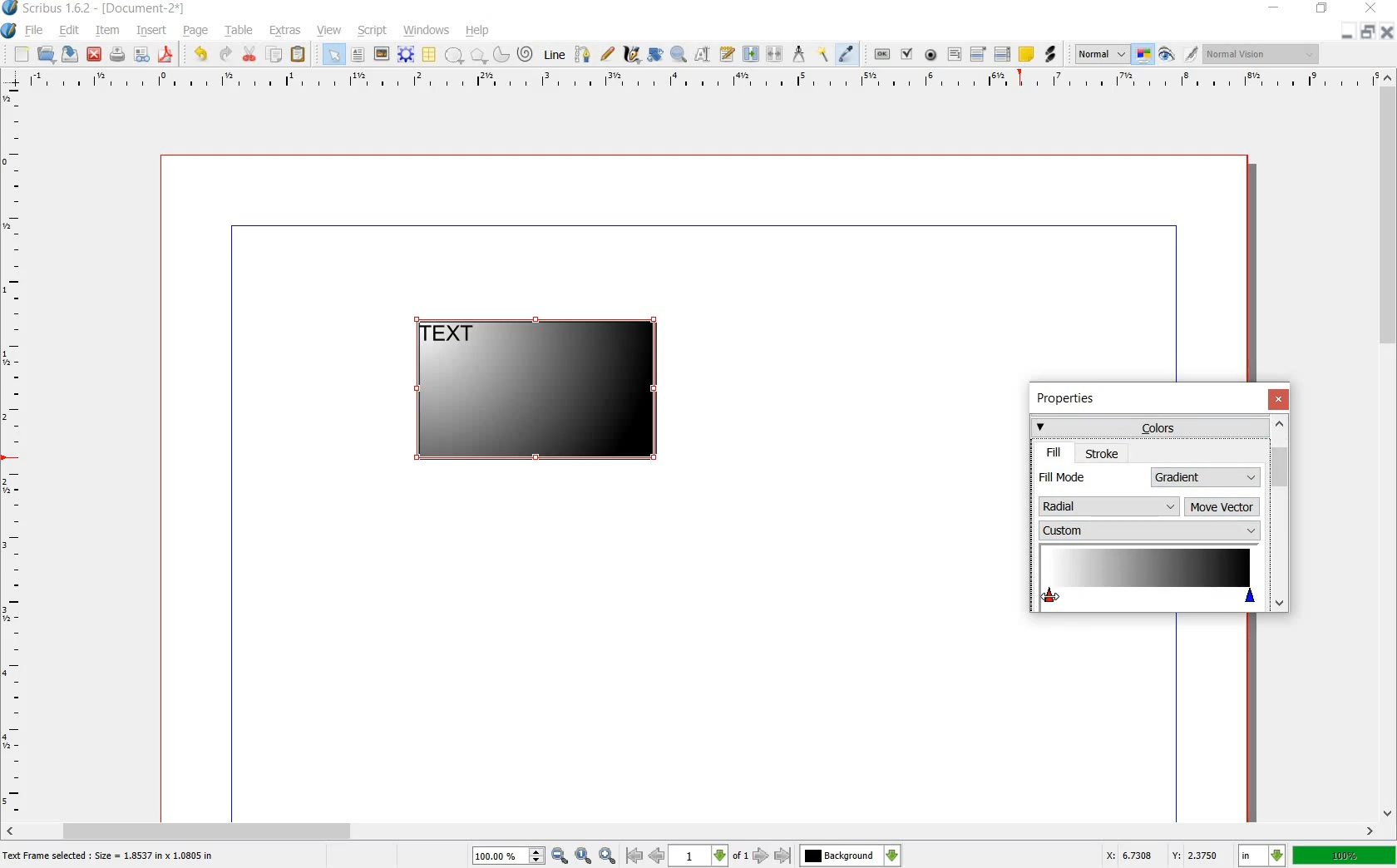  What do you see at coordinates (656, 55) in the screenshot?
I see `rotate item` at bounding box center [656, 55].